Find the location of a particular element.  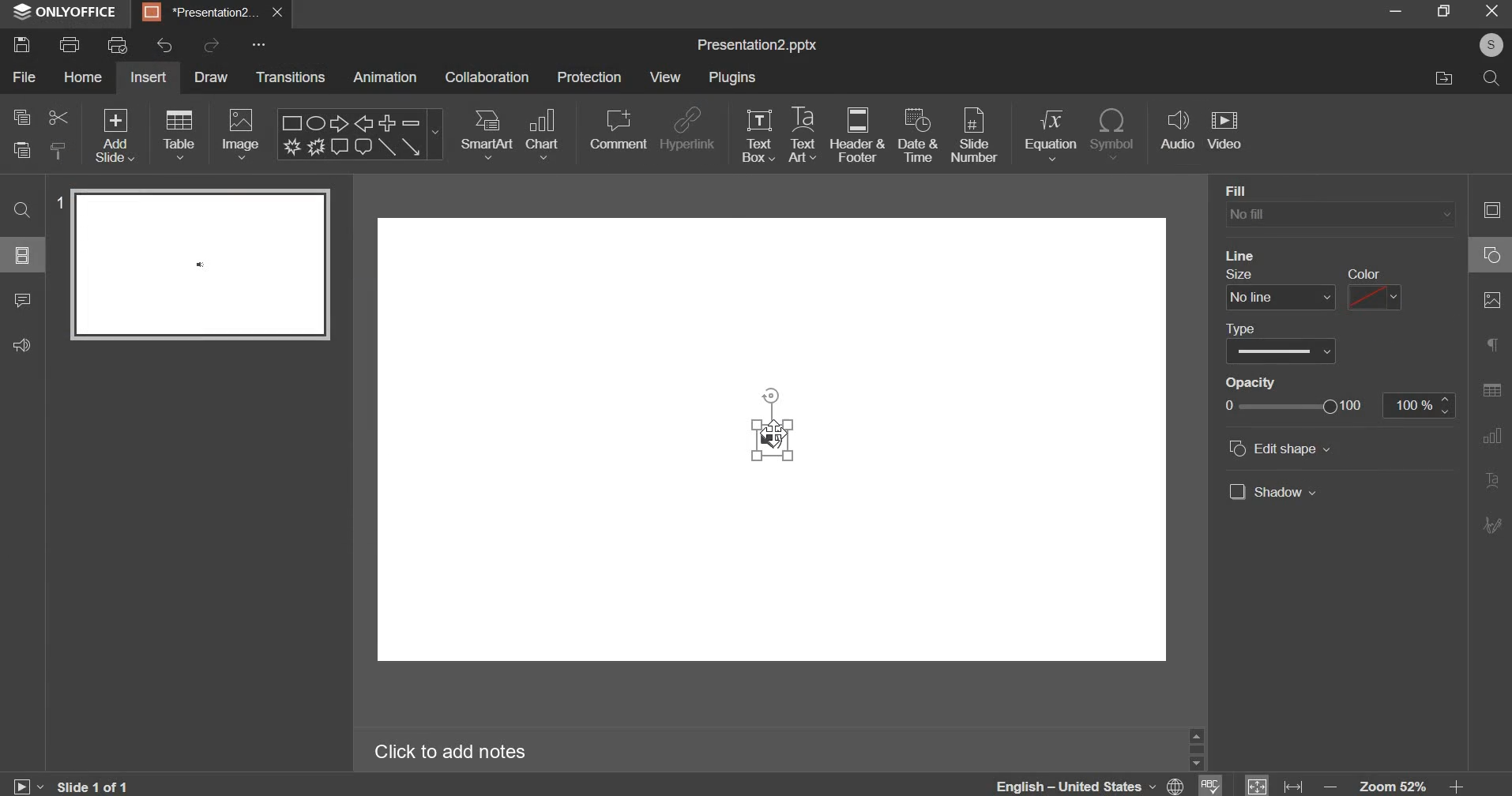

print is located at coordinates (70, 45).